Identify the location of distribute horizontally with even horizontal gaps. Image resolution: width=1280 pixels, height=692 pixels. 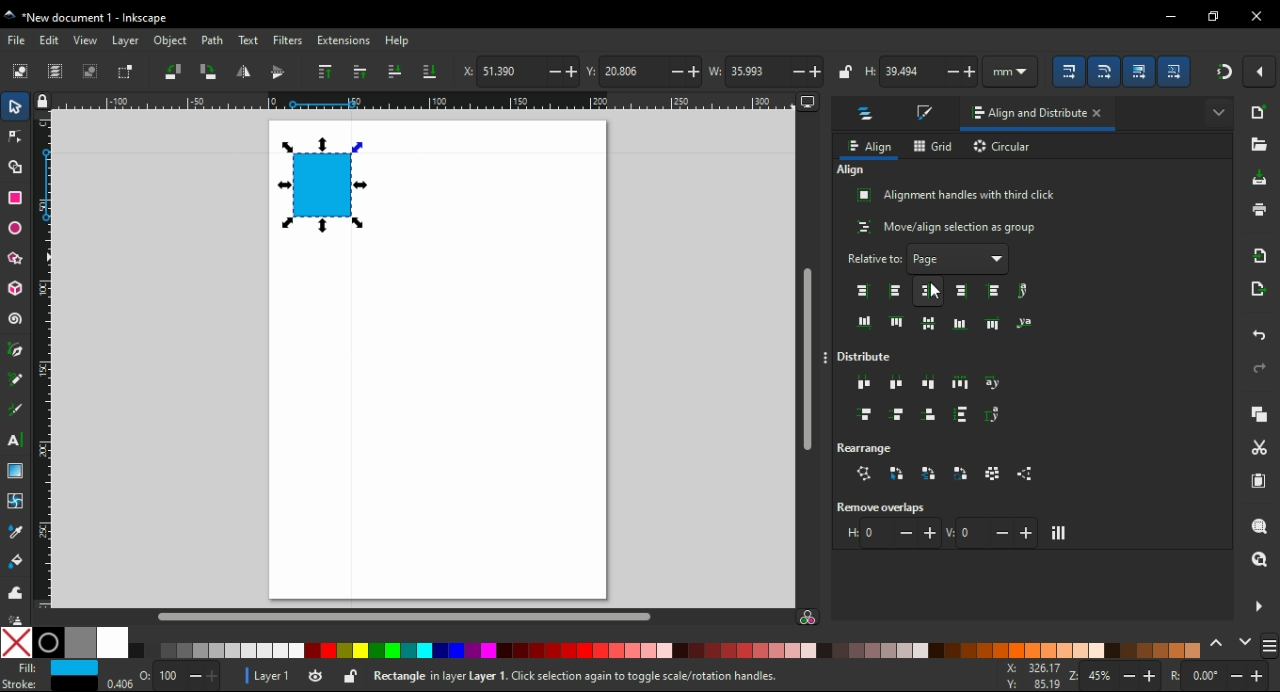
(960, 382).